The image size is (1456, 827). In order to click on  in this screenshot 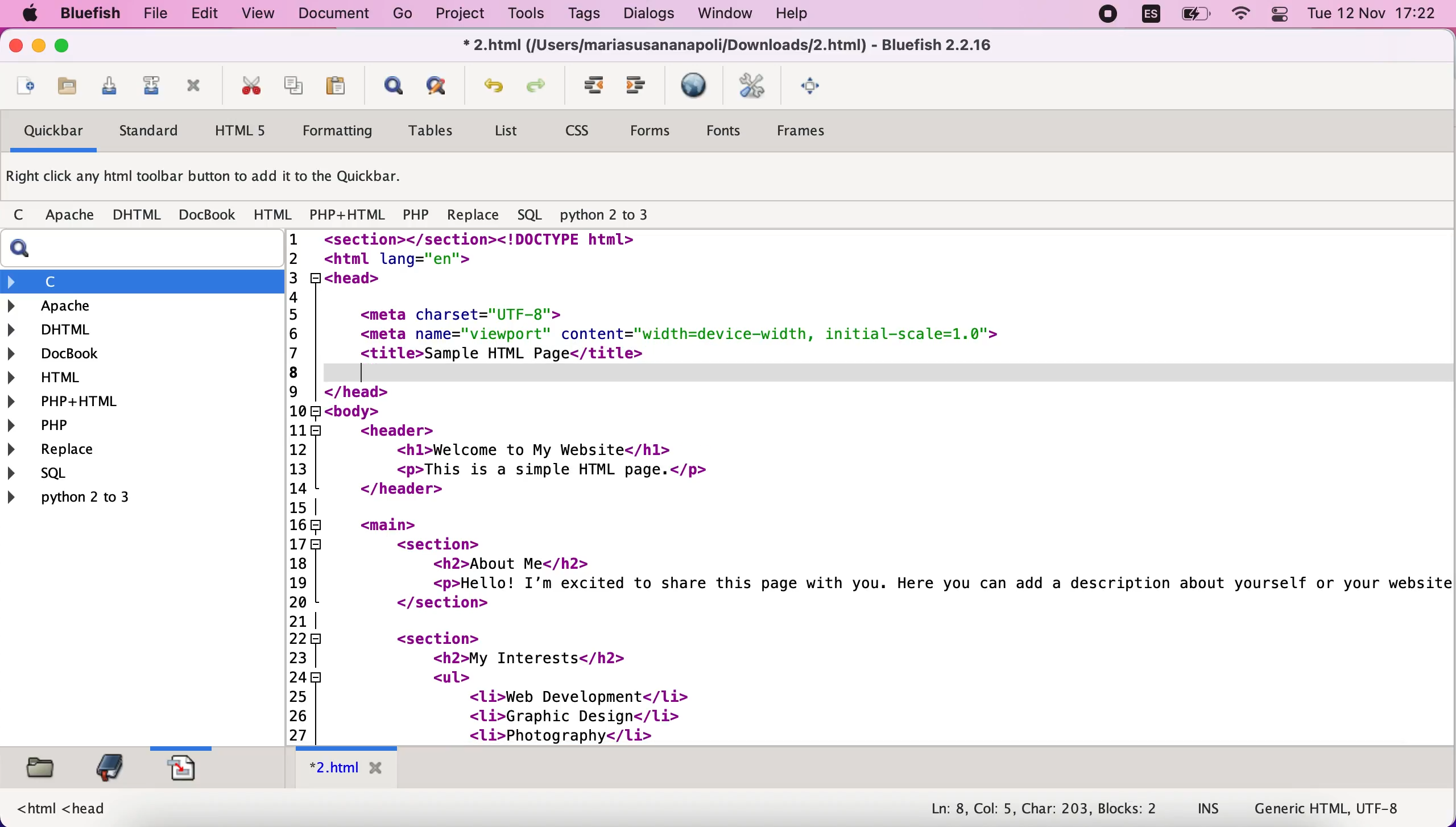, I will do `click(24, 216)`.